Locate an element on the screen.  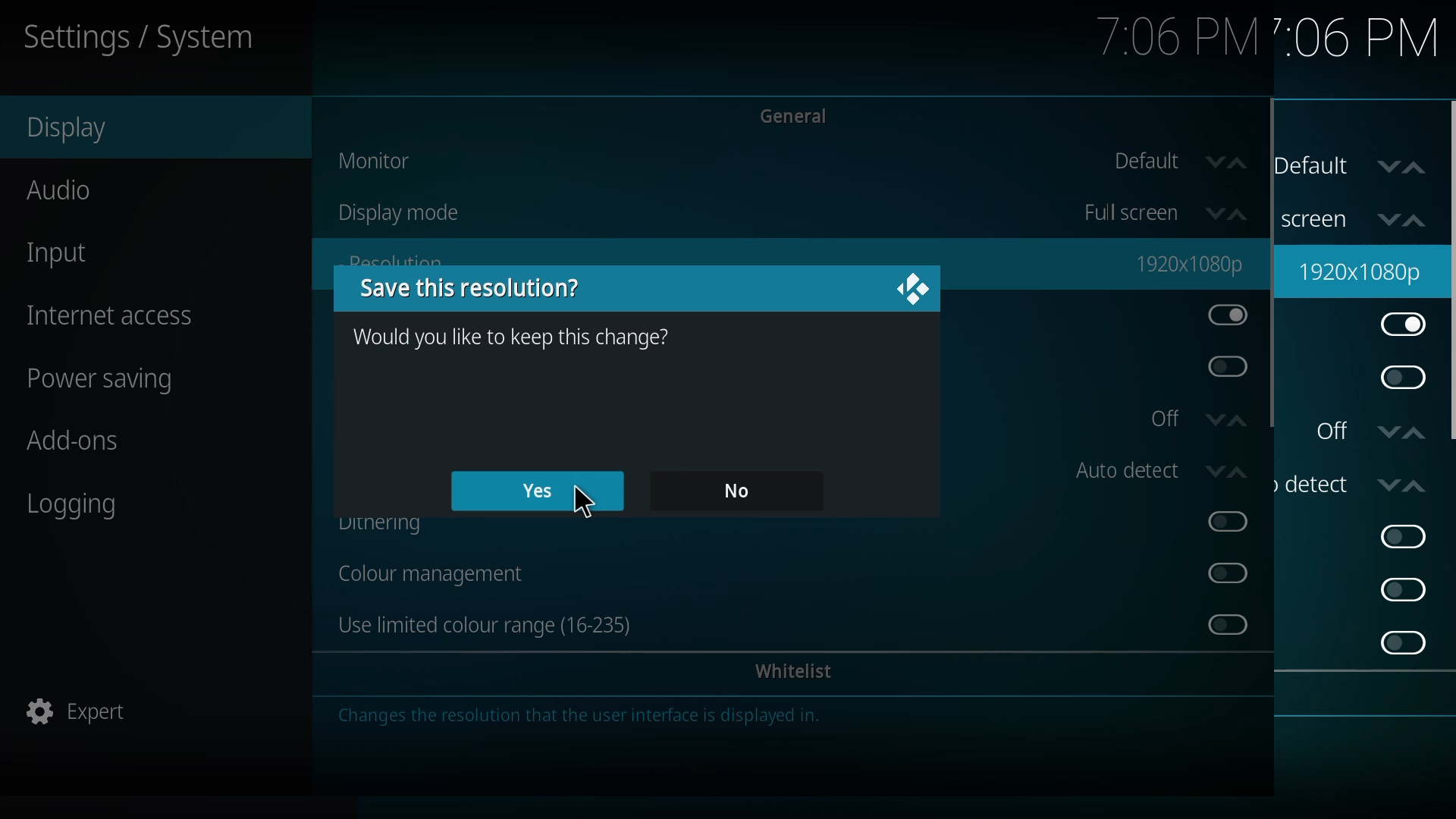
disabled is located at coordinates (1222, 573).